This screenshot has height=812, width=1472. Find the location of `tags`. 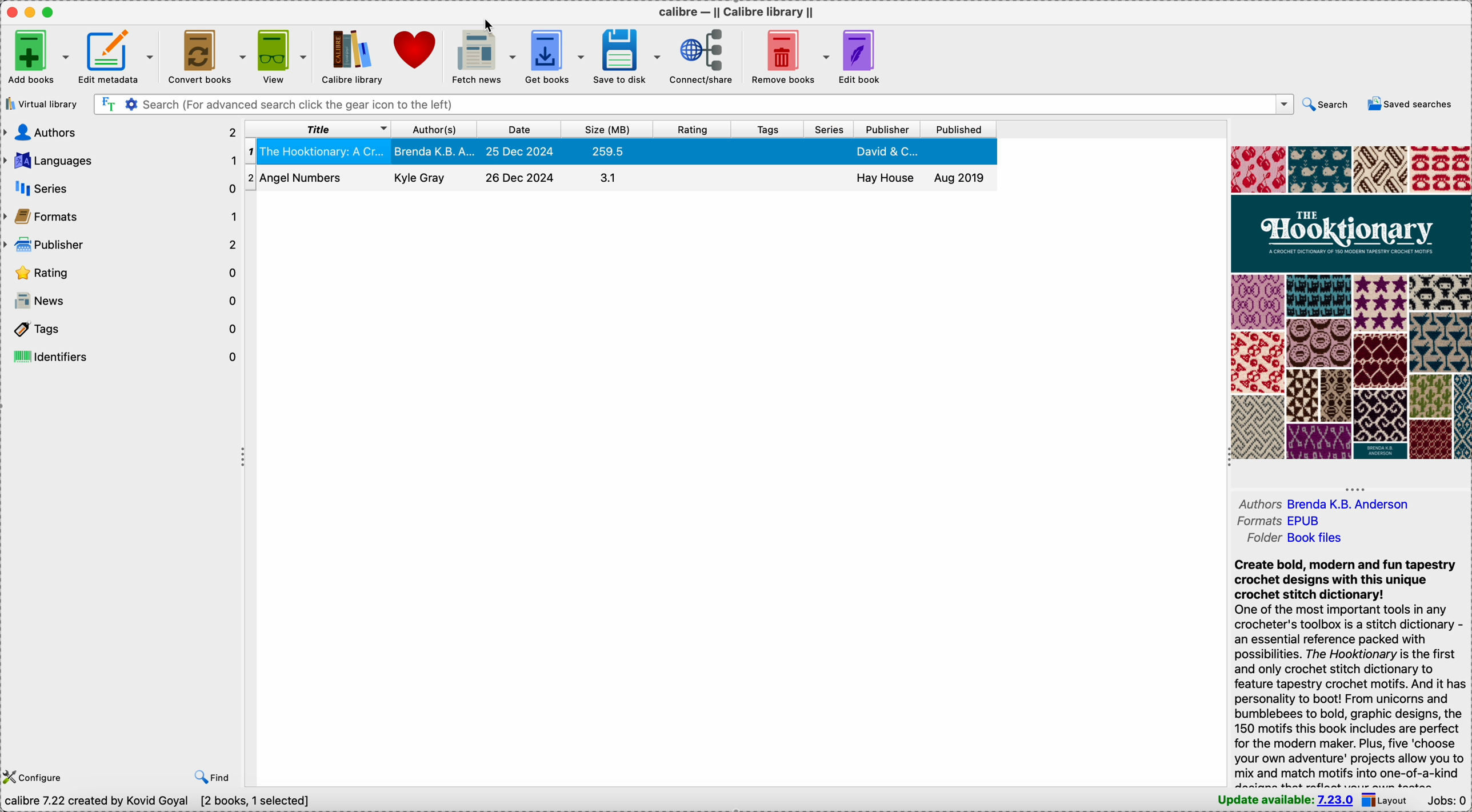

tags is located at coordinates (122, 326).